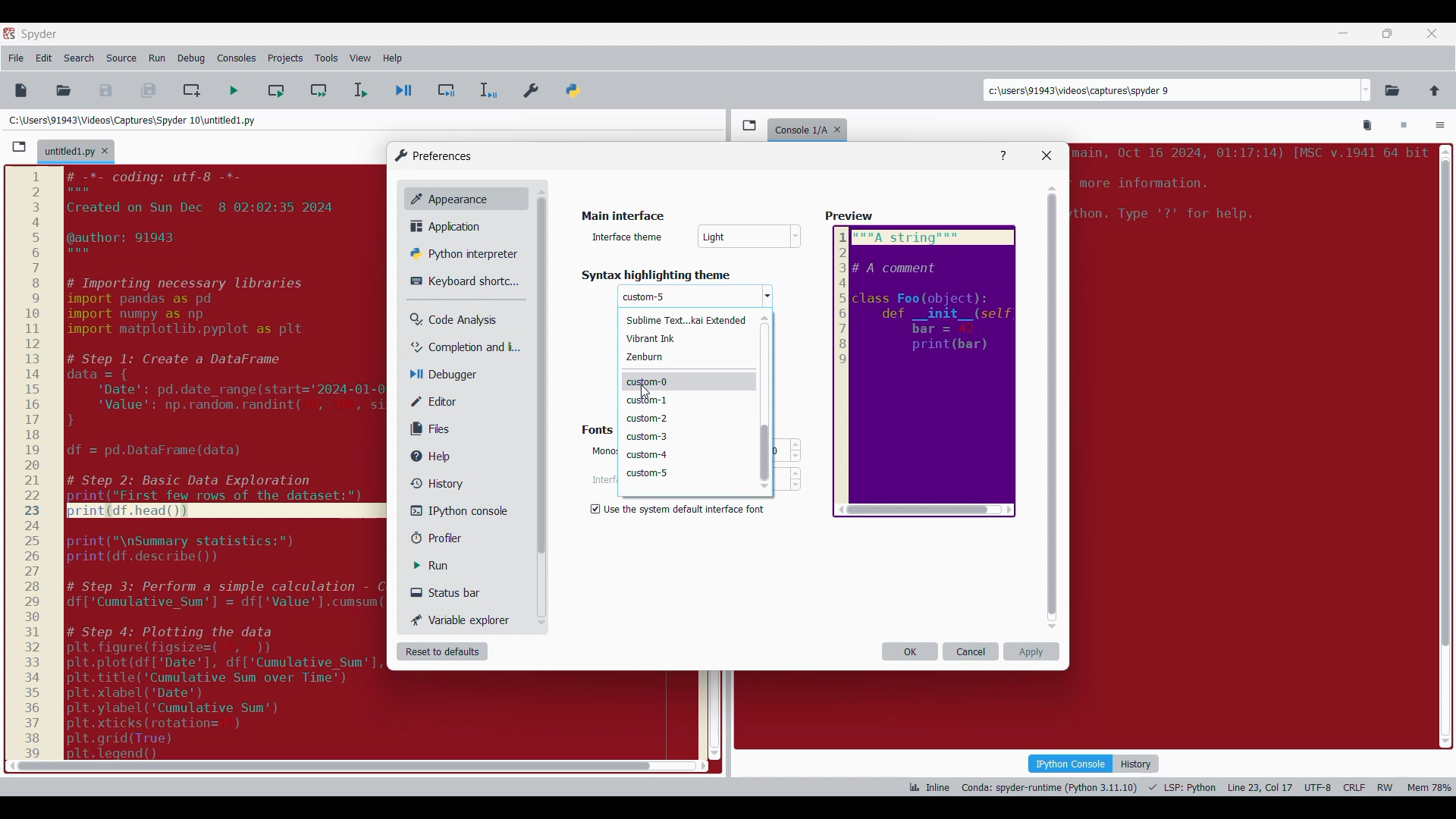 Image resolution: width=1456 pixels, height=819 pixels. Describe the element at coordinates (105, 151) in the screenshot. I see `Close tab` at that location.